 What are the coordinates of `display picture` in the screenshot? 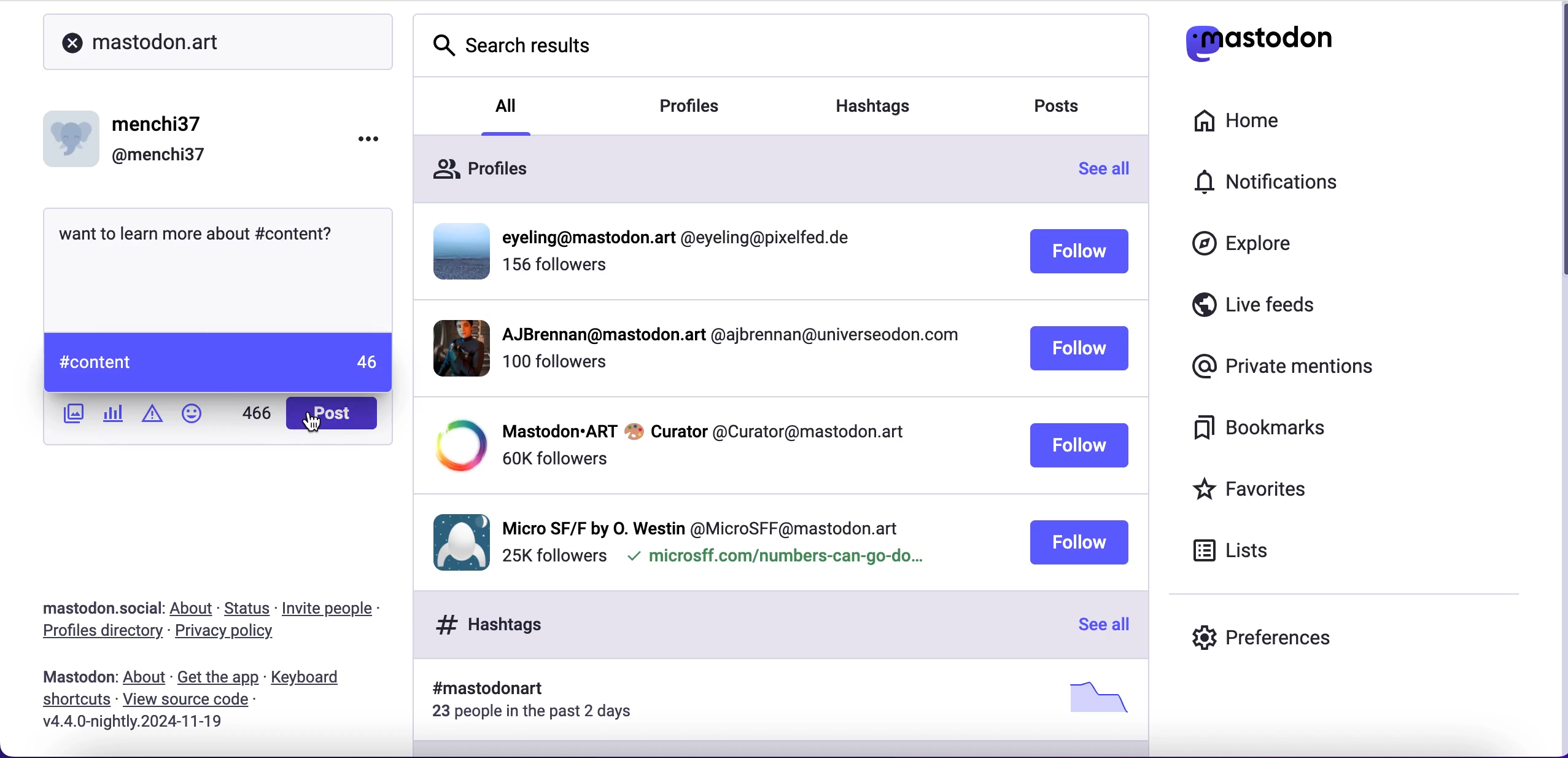 It's located at (457, 249).